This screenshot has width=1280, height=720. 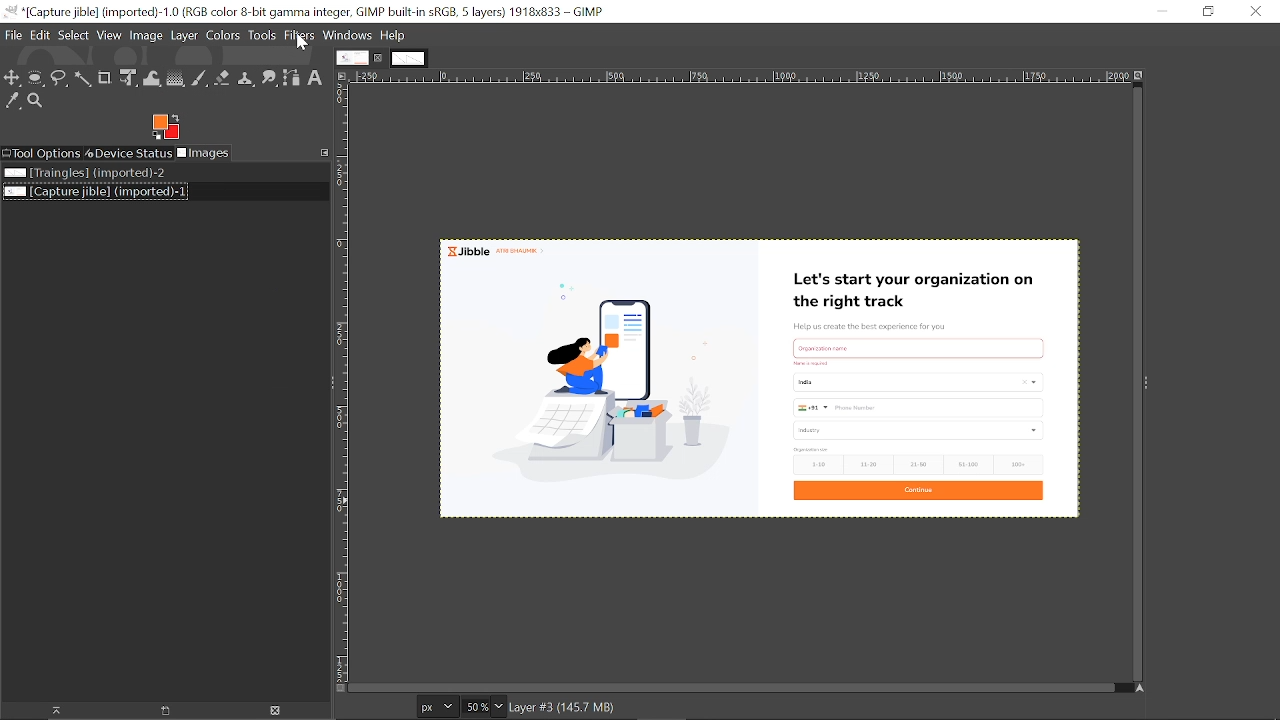 What do you see at coordinates (380, 57) in the screenshot?
I see `Close tab` at bounding box center [380, 57].